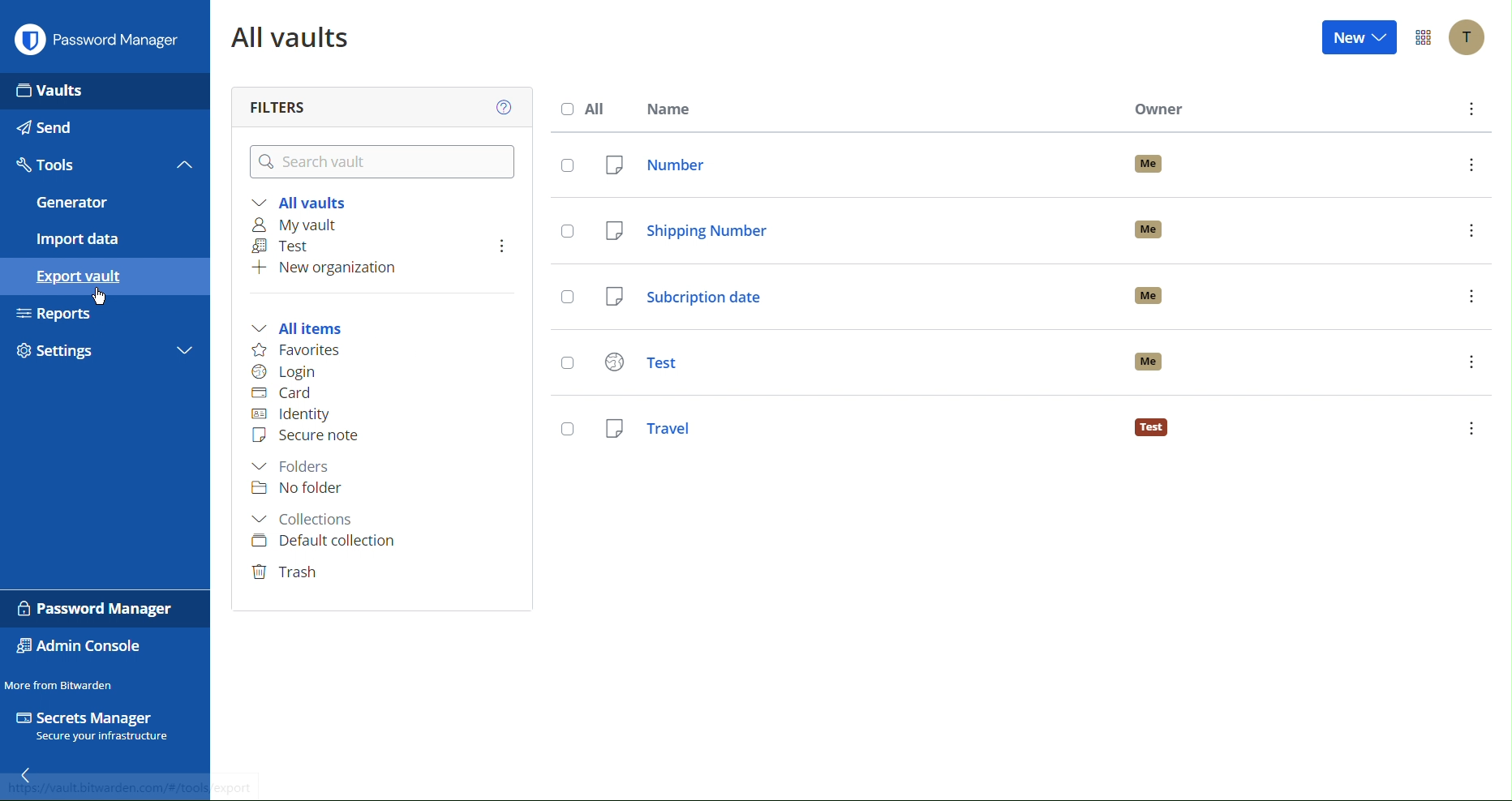 The image size is (1512, 801). Describe the element at coordinates (51, 92) in the screenshot. I see `Vaults` at that location.